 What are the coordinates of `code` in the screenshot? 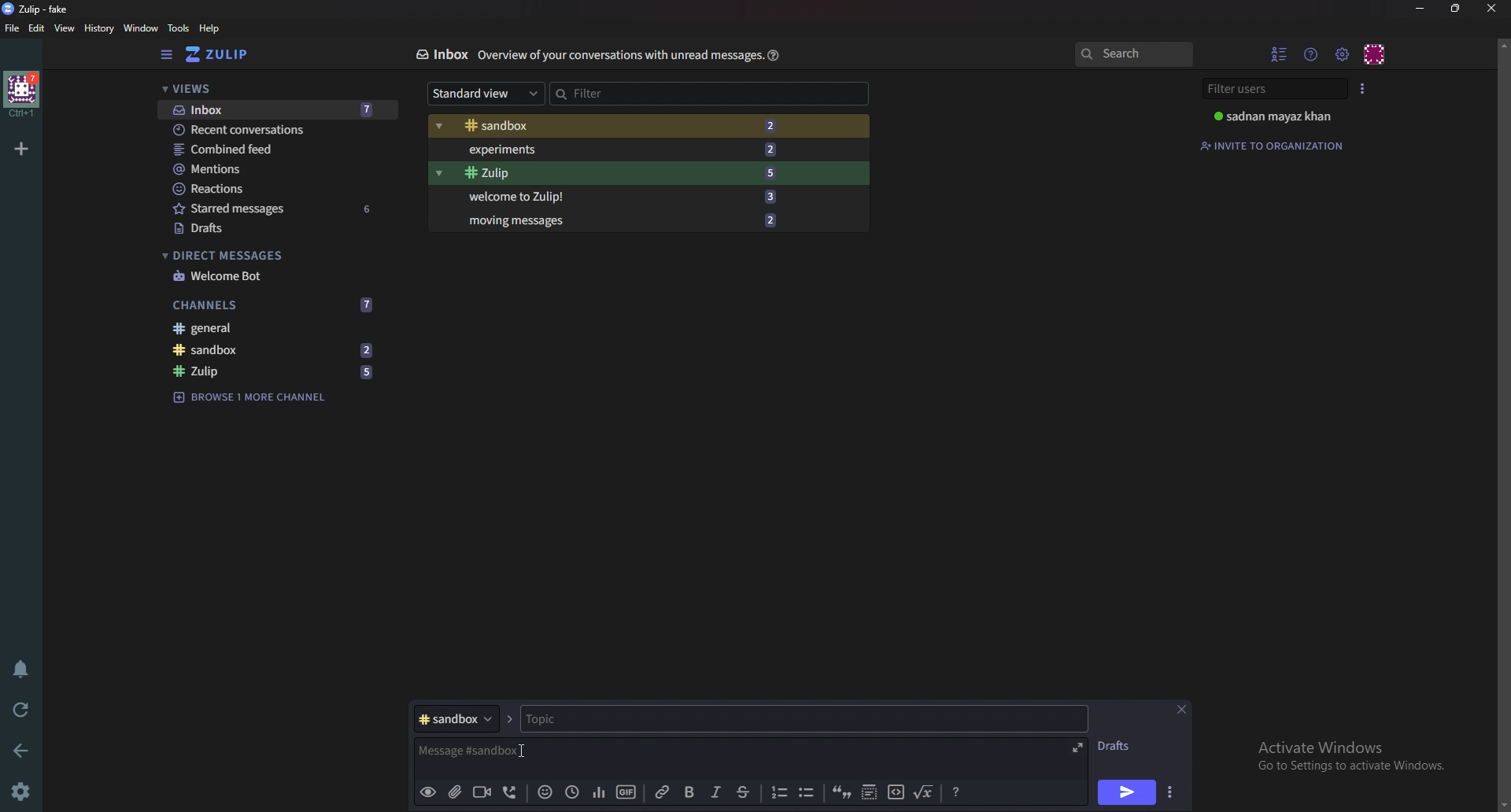 It's located at (895, 794).